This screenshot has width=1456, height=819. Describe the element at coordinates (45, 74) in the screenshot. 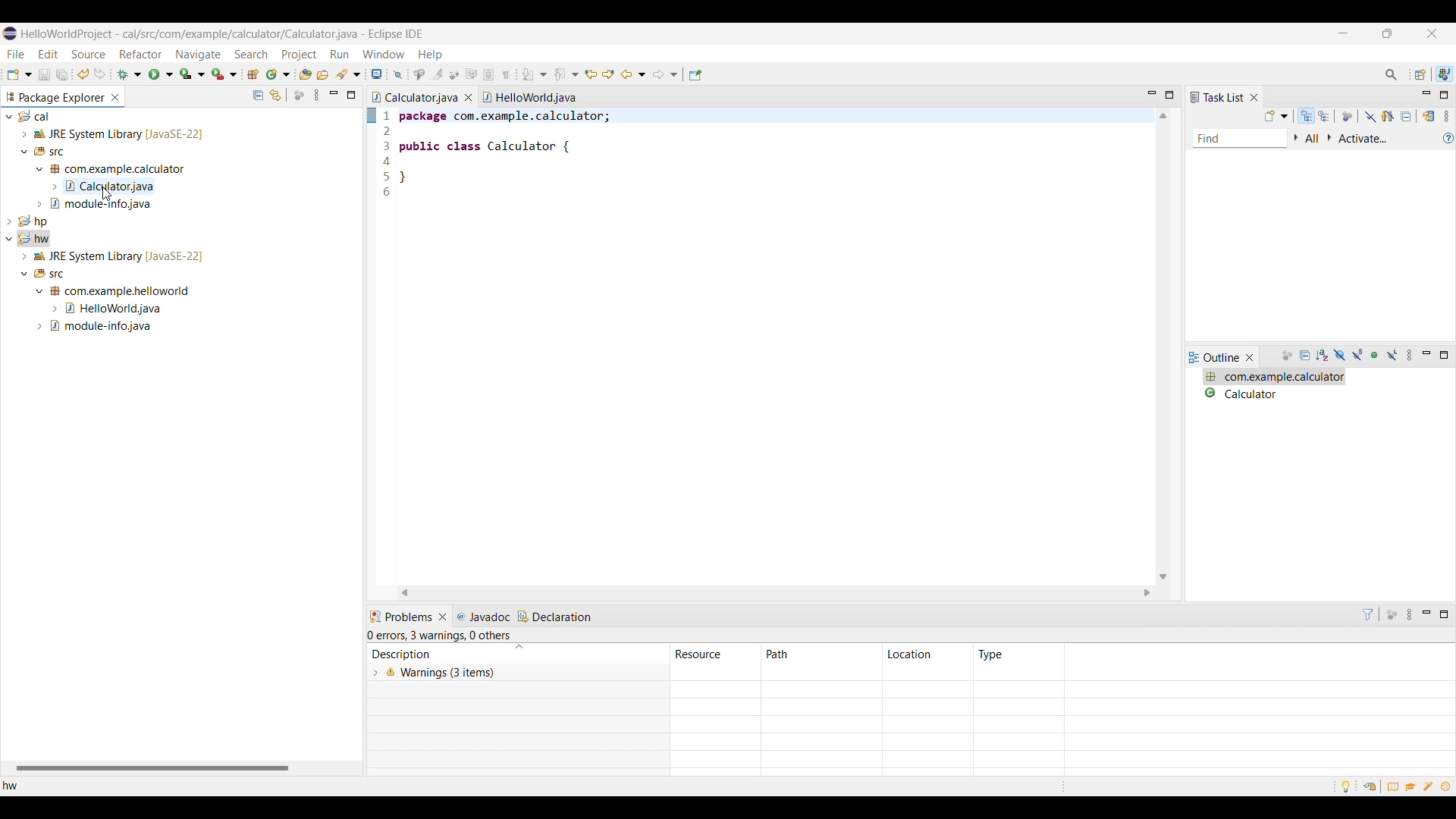

I see `Save` at that location.